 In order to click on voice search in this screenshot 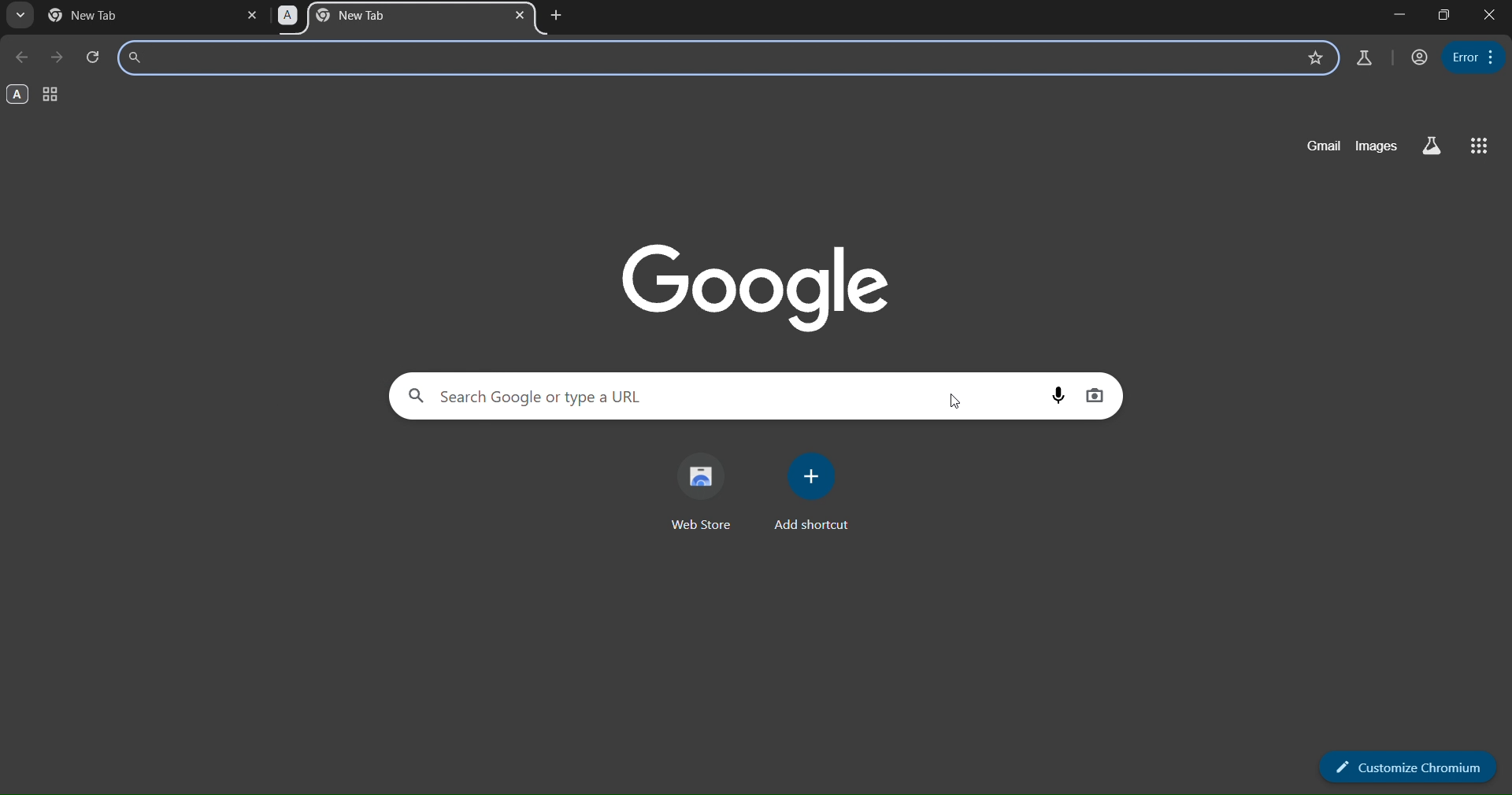, I will do `click(1057, 395)`.